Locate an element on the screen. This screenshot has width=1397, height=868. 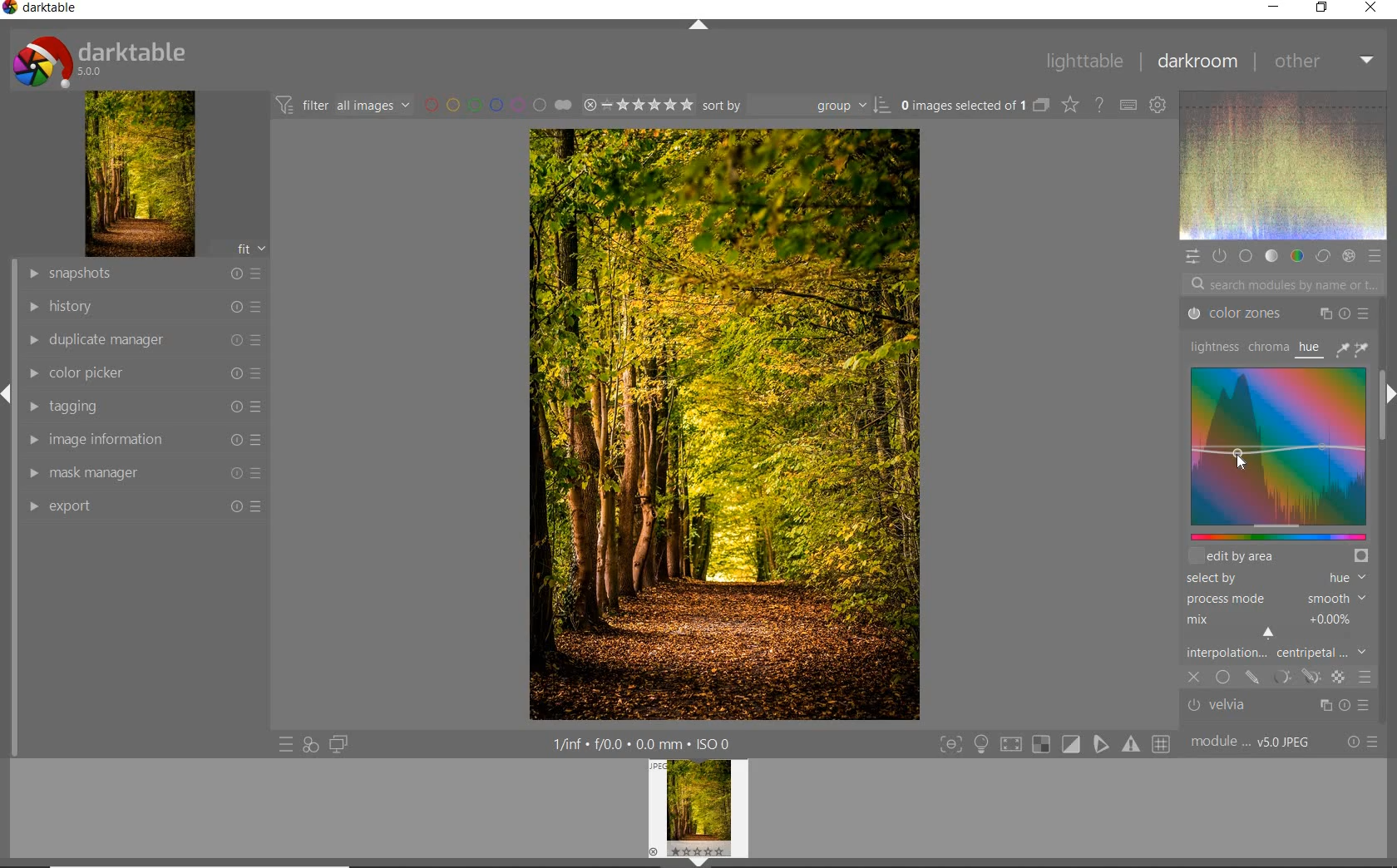
COLLAPSE GROUPED IMAGES is located at coordinates (1042, 105).